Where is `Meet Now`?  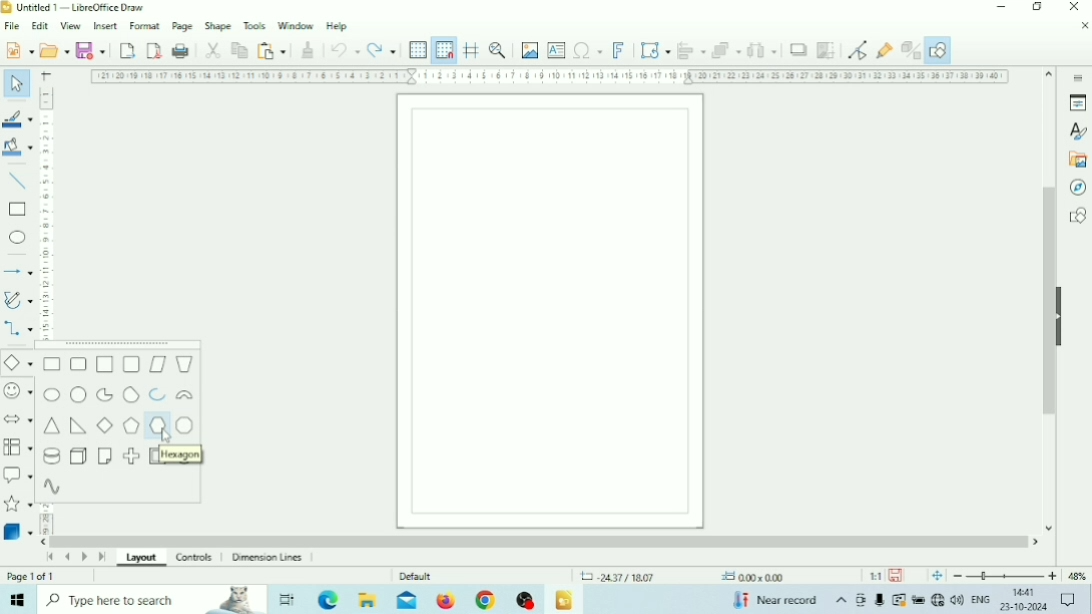 Meet Now is located at coordinates (862, 600).